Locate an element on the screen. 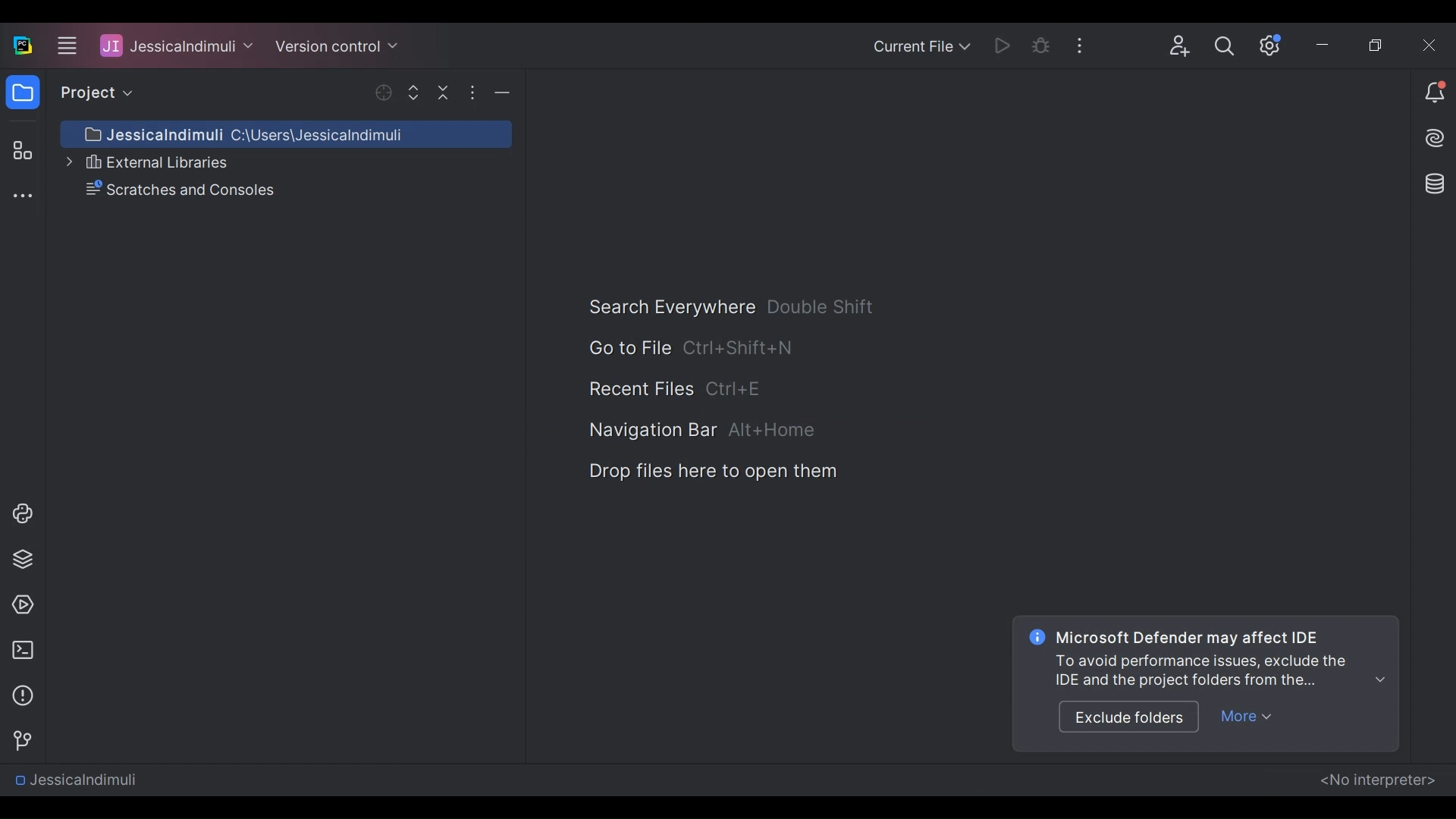 This screenshot has width=1456, height=819. More is located at coordinates (1247, 713).